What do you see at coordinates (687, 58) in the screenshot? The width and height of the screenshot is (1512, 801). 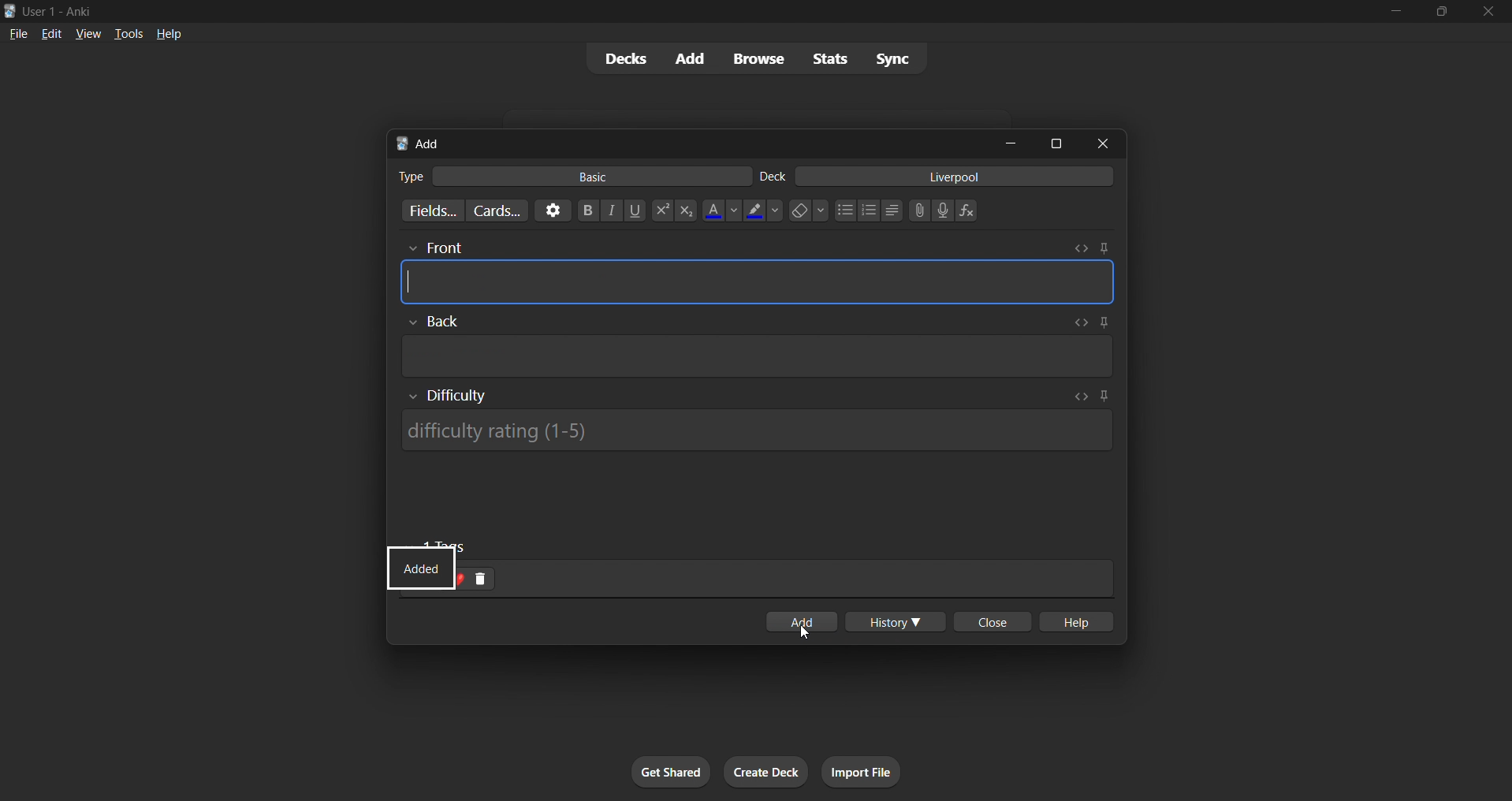 I see `add` at bounding box center [687, 58].